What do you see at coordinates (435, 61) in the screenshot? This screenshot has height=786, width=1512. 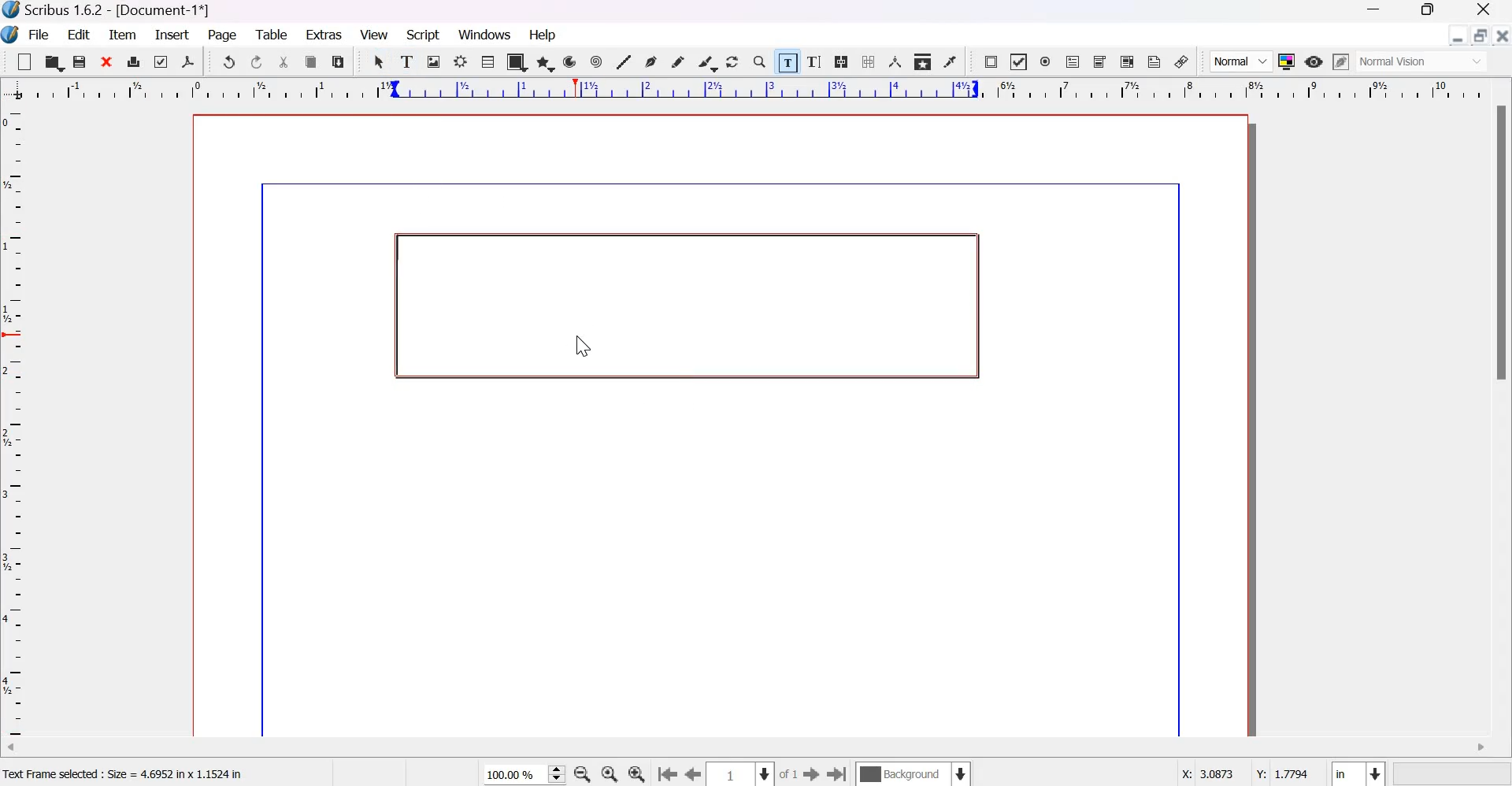 I see `image render` at bounding box center [435, 61].